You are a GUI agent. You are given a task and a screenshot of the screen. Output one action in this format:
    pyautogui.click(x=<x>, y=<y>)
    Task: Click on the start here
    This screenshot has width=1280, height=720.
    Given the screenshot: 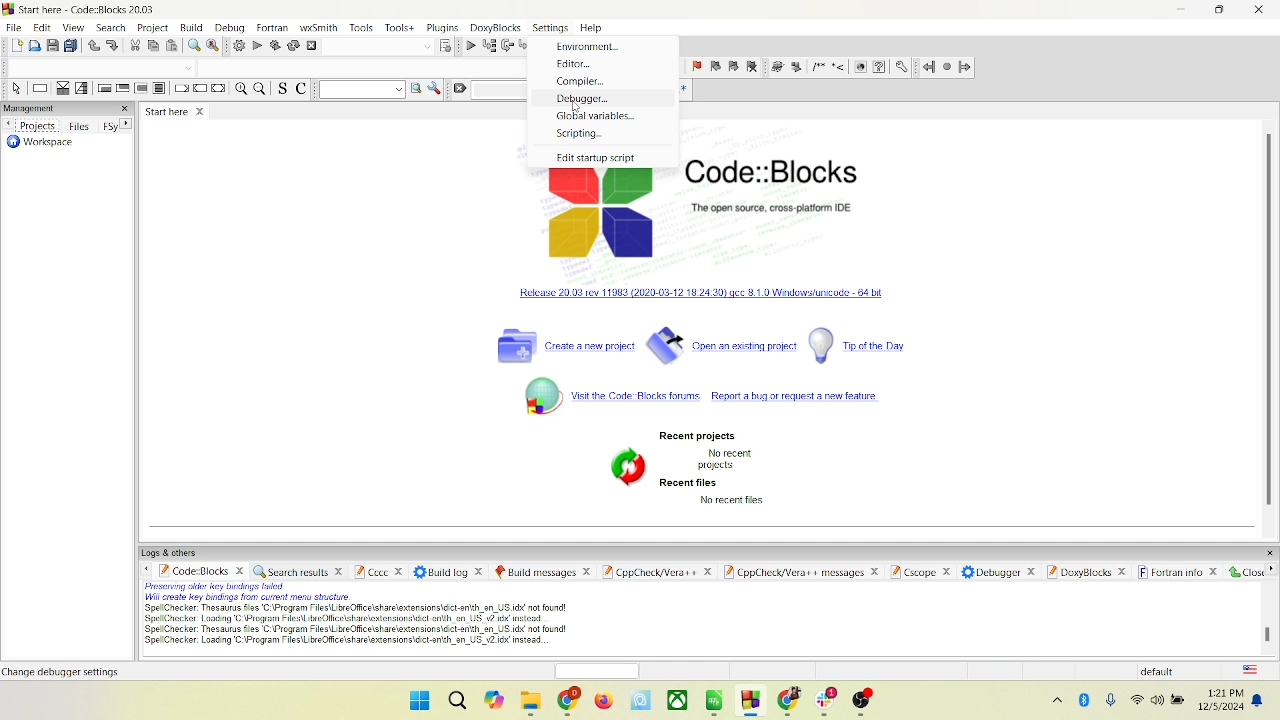 What is the action you would take?
    pyautogui.click(x=177, y=111)
    